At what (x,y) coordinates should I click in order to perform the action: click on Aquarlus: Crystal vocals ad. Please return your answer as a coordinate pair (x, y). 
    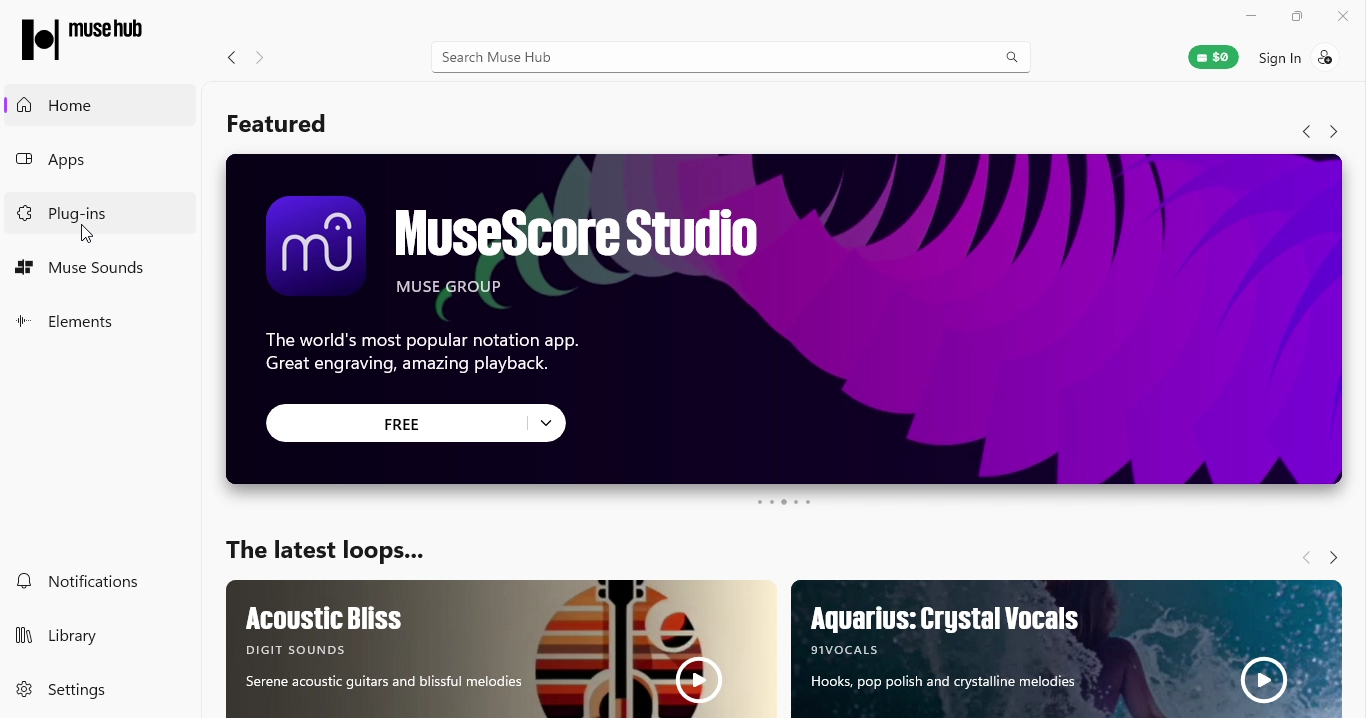
    Looking at the image, I should click on (1067, 650).